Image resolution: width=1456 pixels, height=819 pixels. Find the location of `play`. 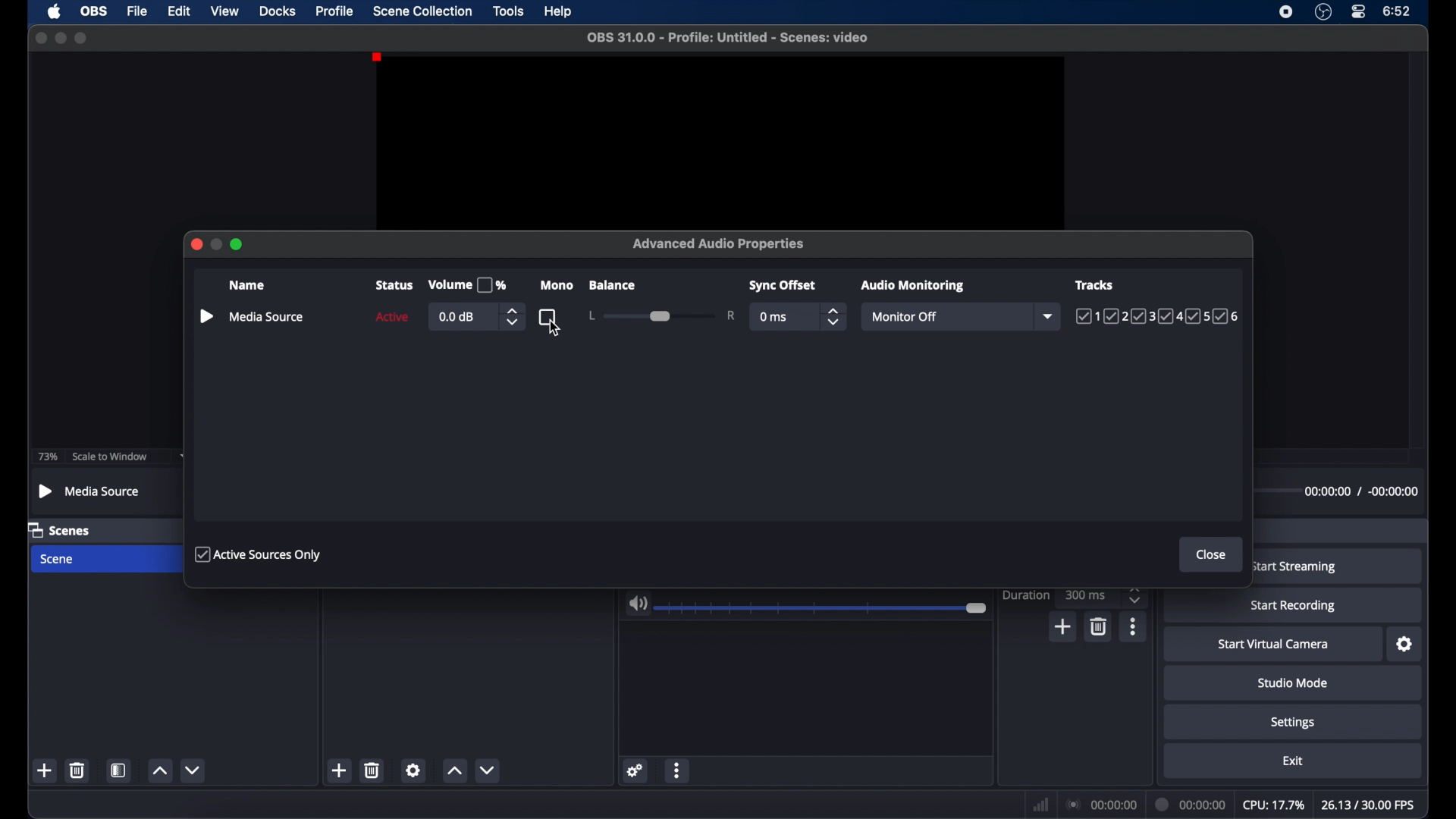

play is located at coordinates (206, 316).